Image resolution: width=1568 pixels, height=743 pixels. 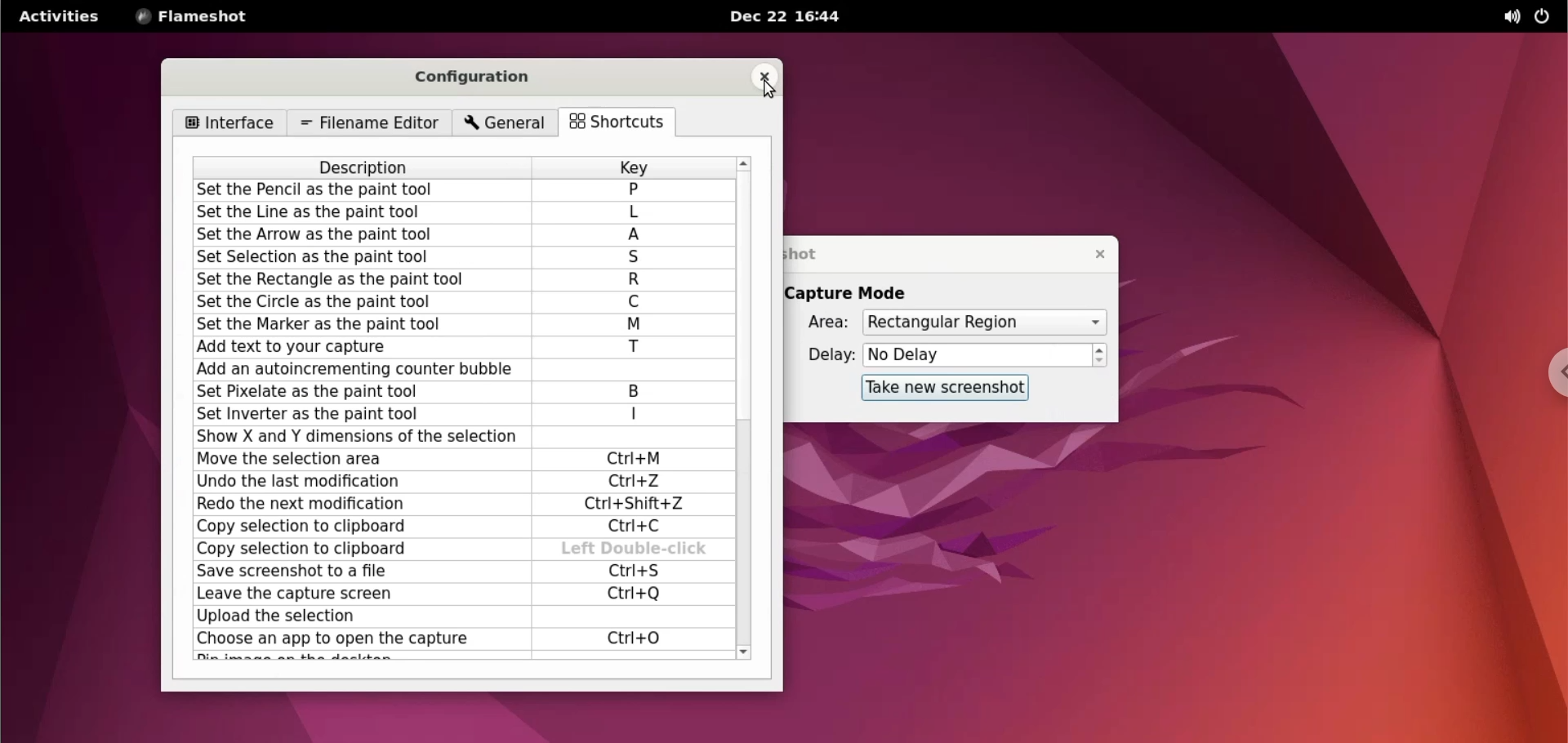 I want to click on show X and Y dimensions of the selection, so click(x=354, y=437).